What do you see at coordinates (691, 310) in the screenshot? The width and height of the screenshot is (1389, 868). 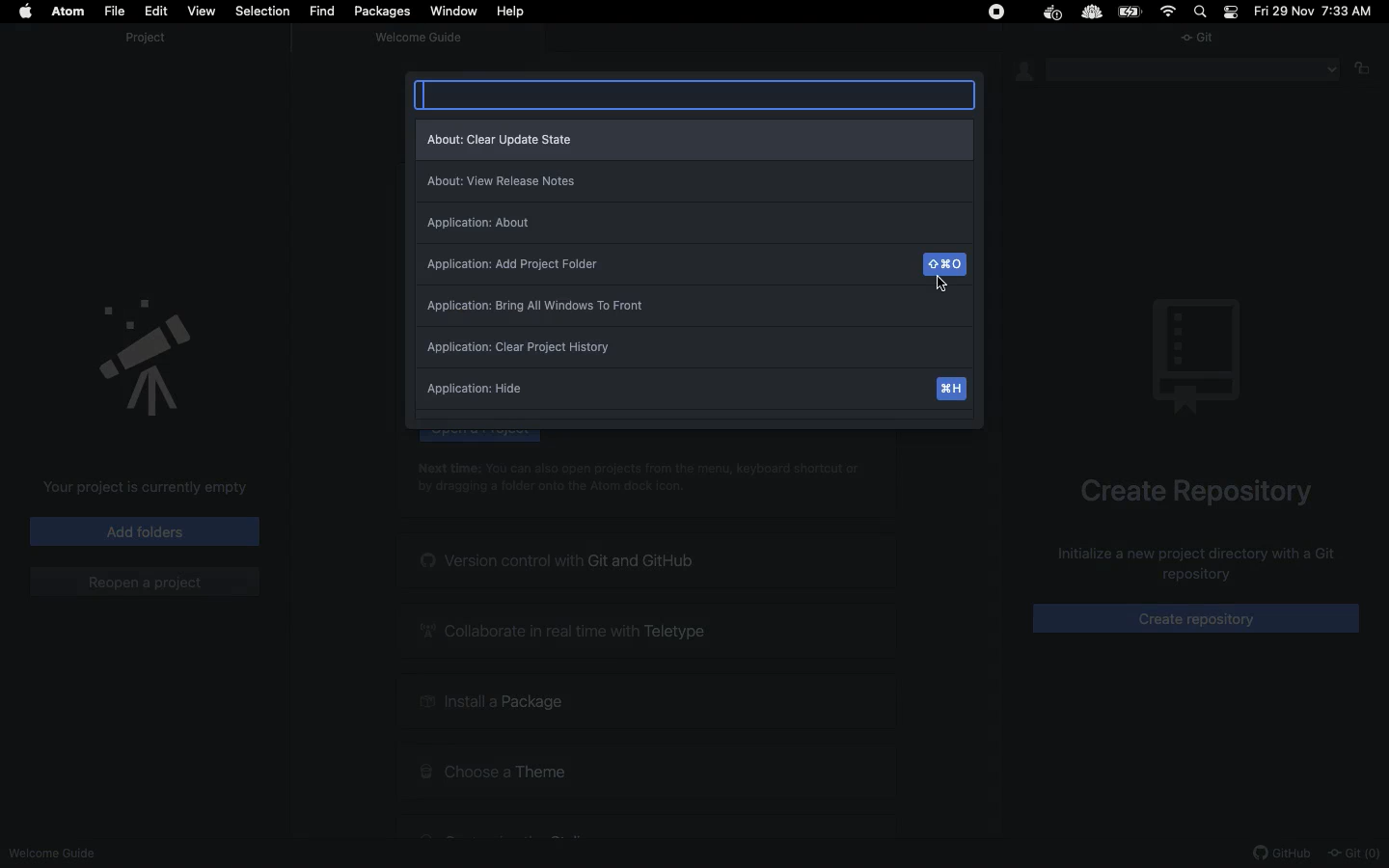 I see `Application bring all windows to front` at bounding box center [691, 310].